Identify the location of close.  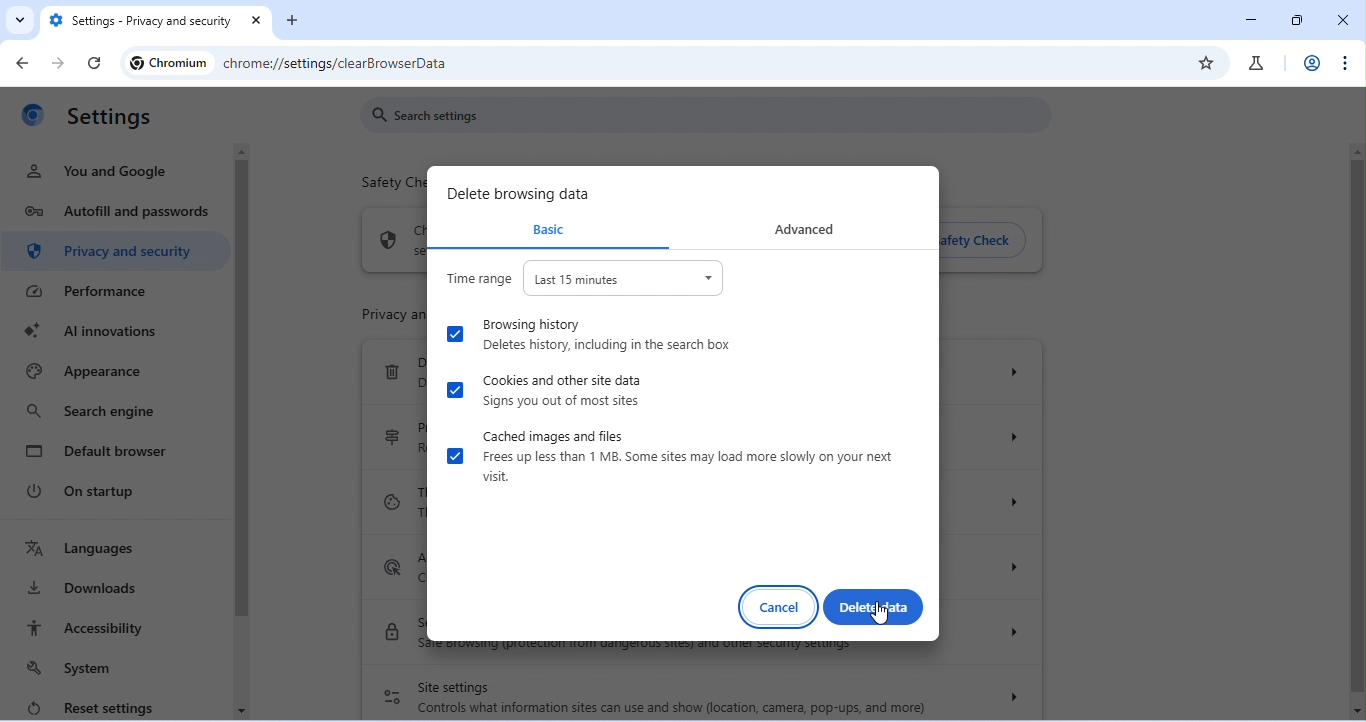
(1342, 20).